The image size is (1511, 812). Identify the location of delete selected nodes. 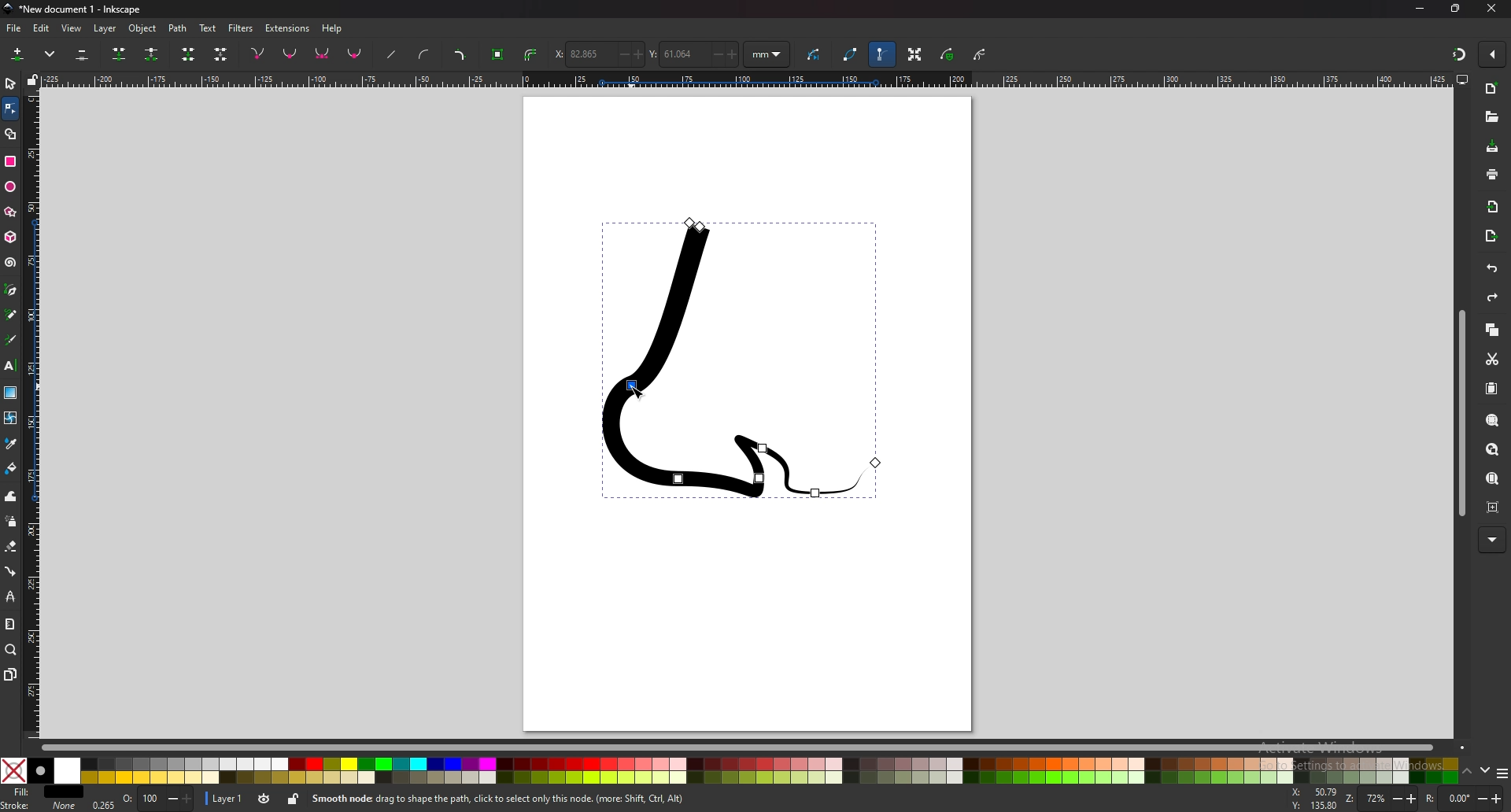
(81, 55).